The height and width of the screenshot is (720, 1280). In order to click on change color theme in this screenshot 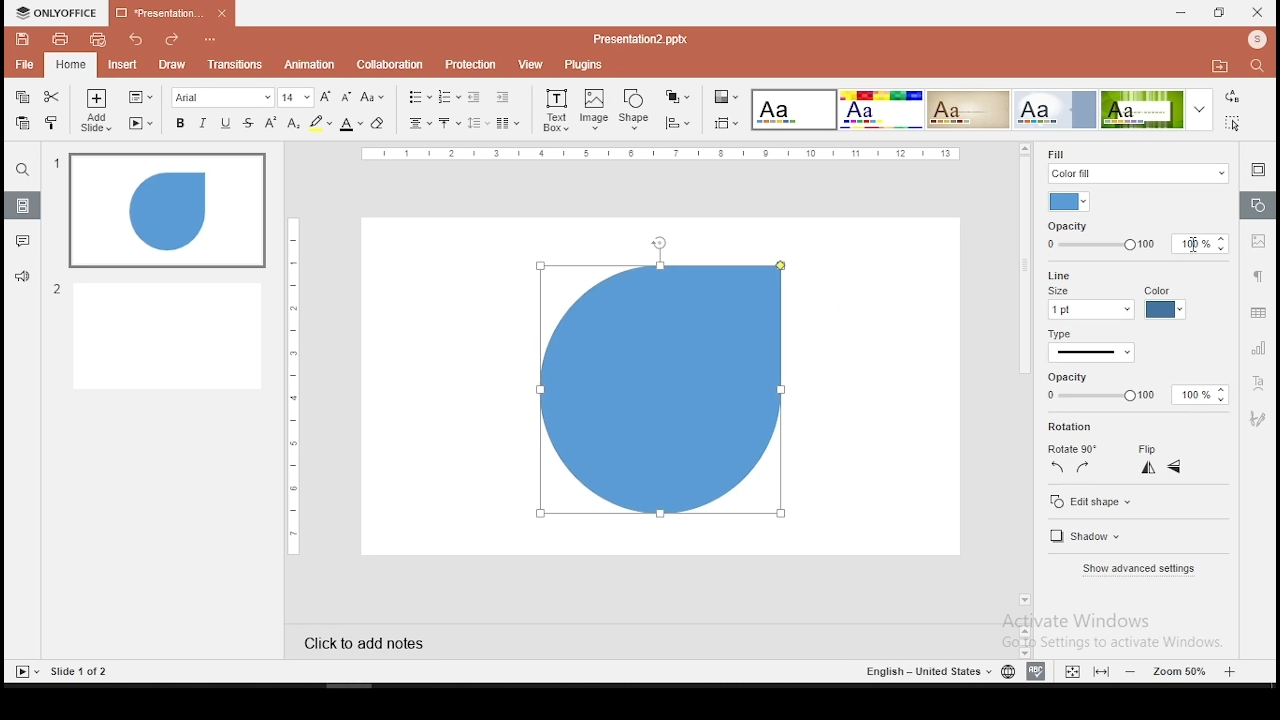, I will do `click(725, 98)`.